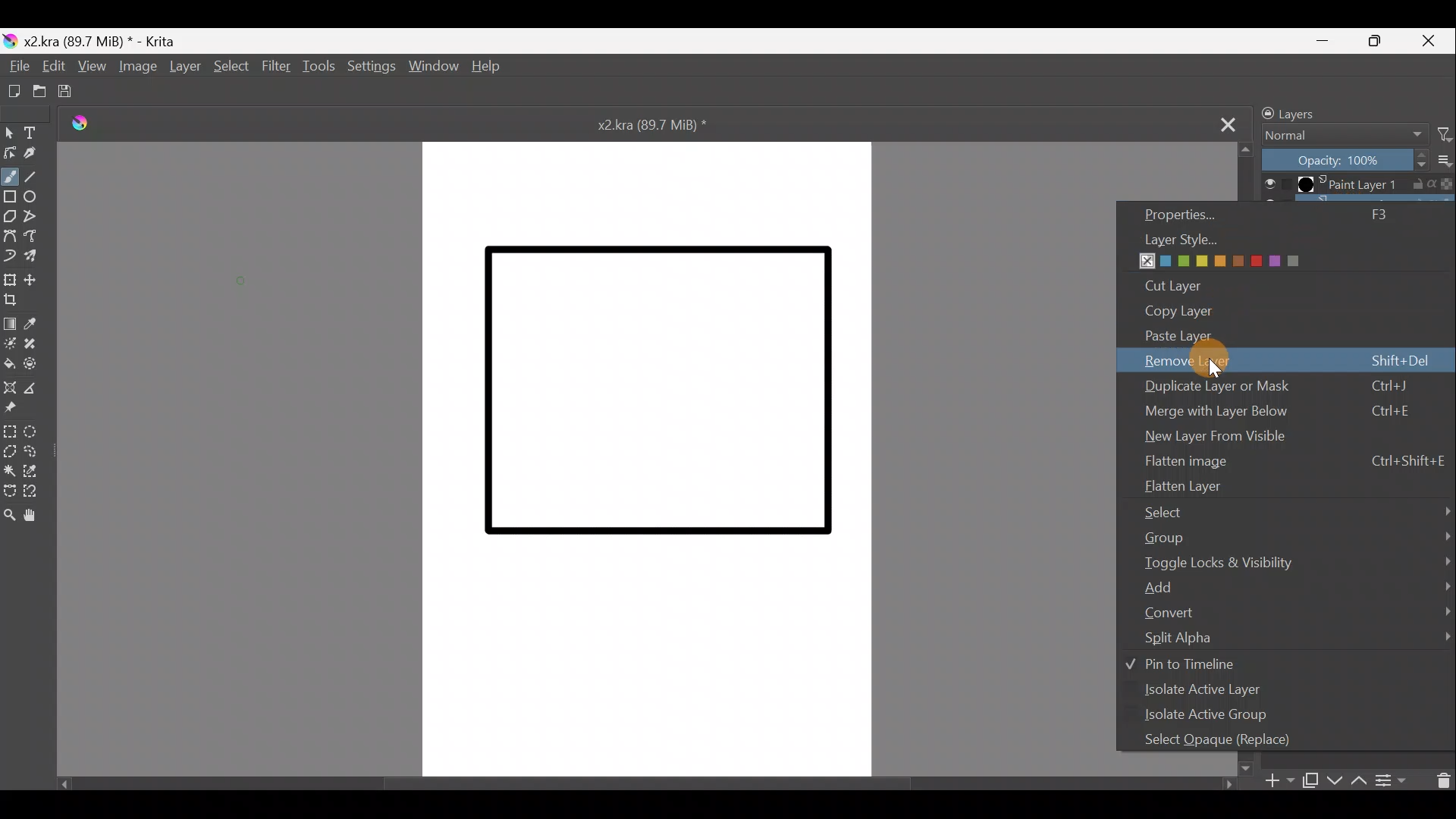  Describe the element at coordinates (1442, 162) in the screenshot. I see `More` at that location.